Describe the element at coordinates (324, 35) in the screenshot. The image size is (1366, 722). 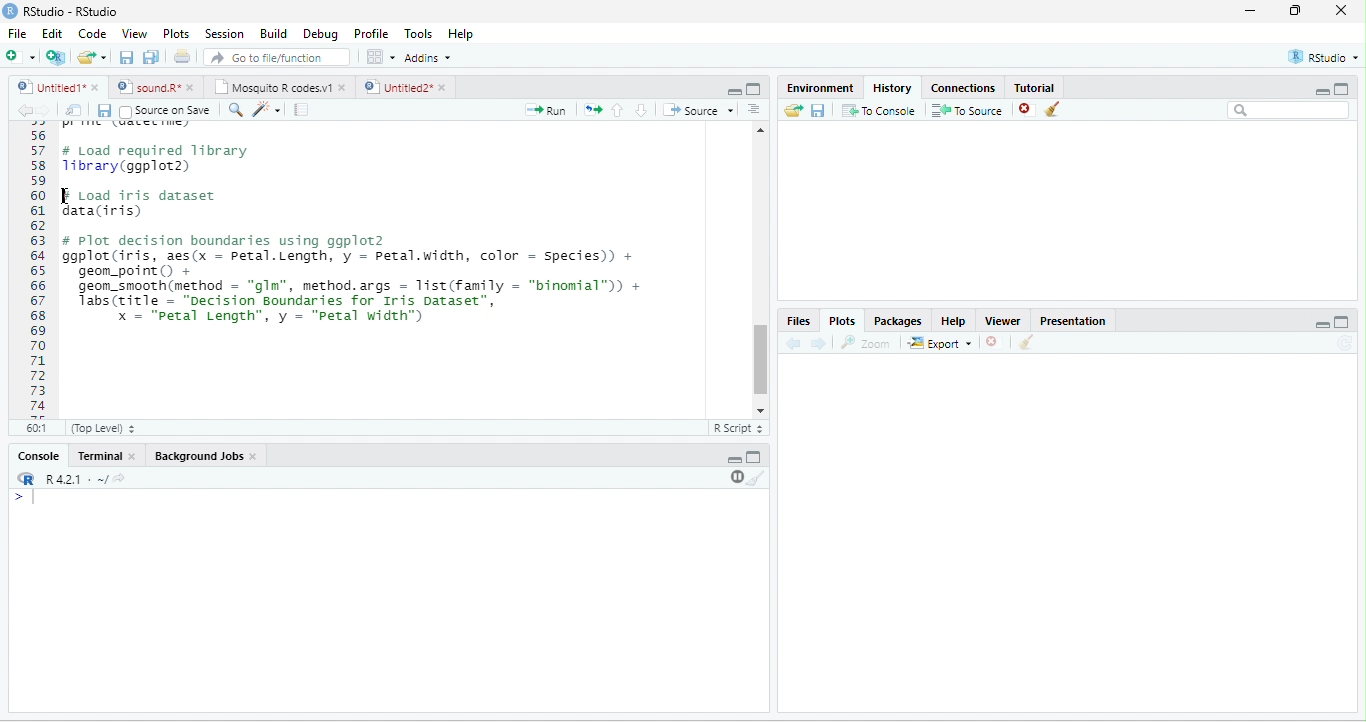
I see `Debug` at that location.